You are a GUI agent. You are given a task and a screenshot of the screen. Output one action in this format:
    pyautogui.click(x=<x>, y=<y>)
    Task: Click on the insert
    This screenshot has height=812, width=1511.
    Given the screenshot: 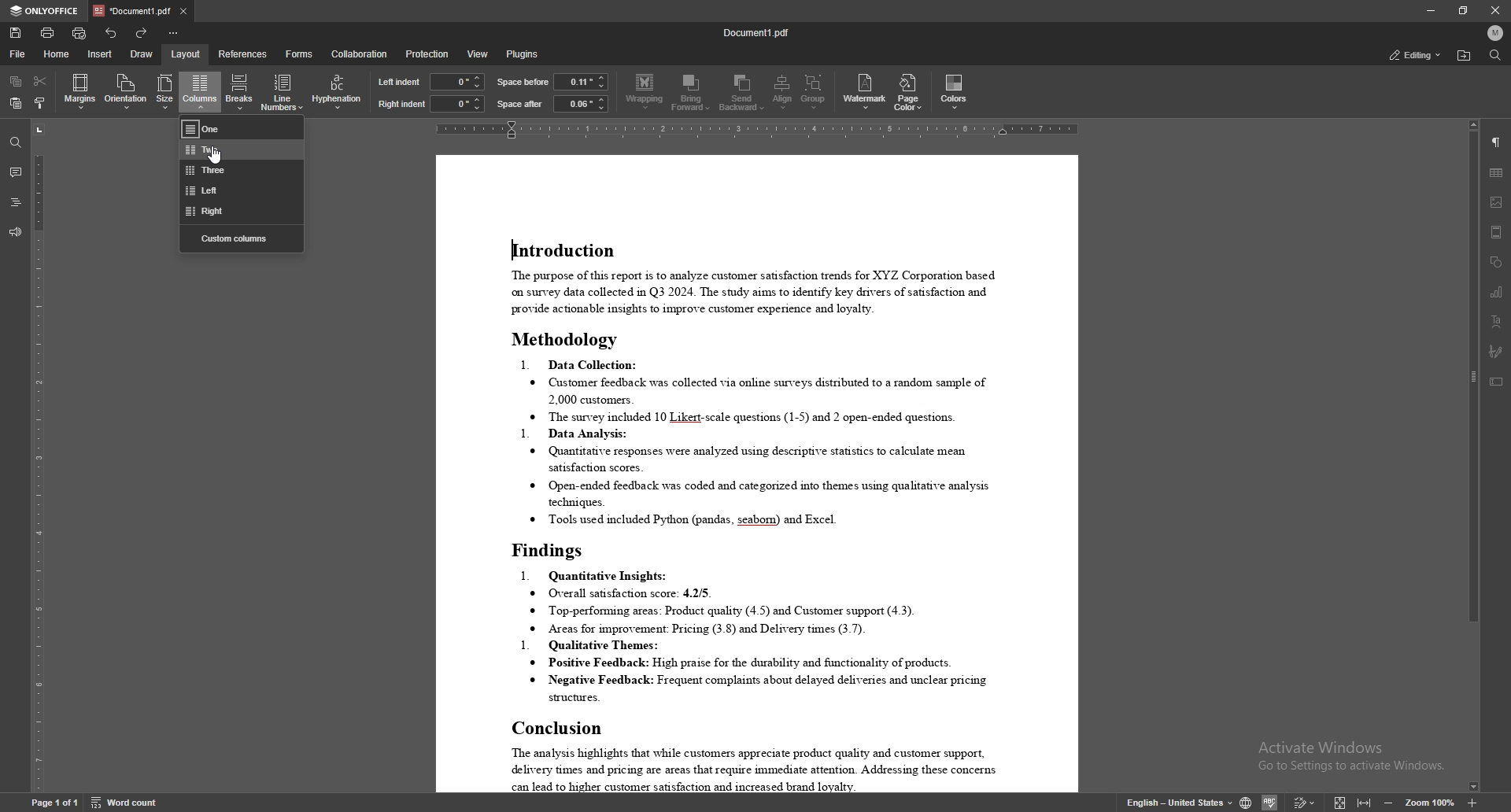 What is the action you would take?
    pyautogui.click(x=101, y=55)
    